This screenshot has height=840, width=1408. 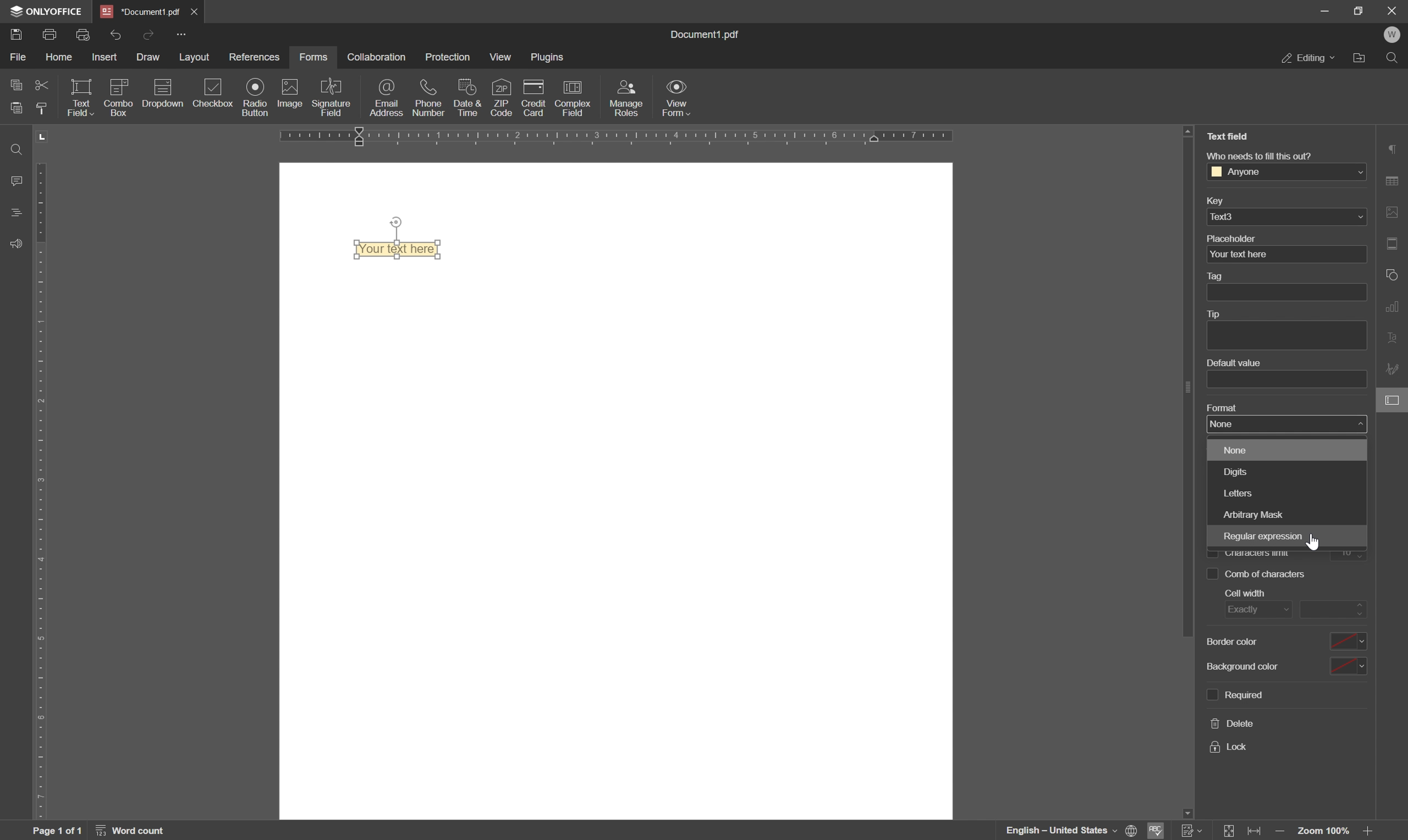 I want to click on radio button, so click(x=253, y=97).